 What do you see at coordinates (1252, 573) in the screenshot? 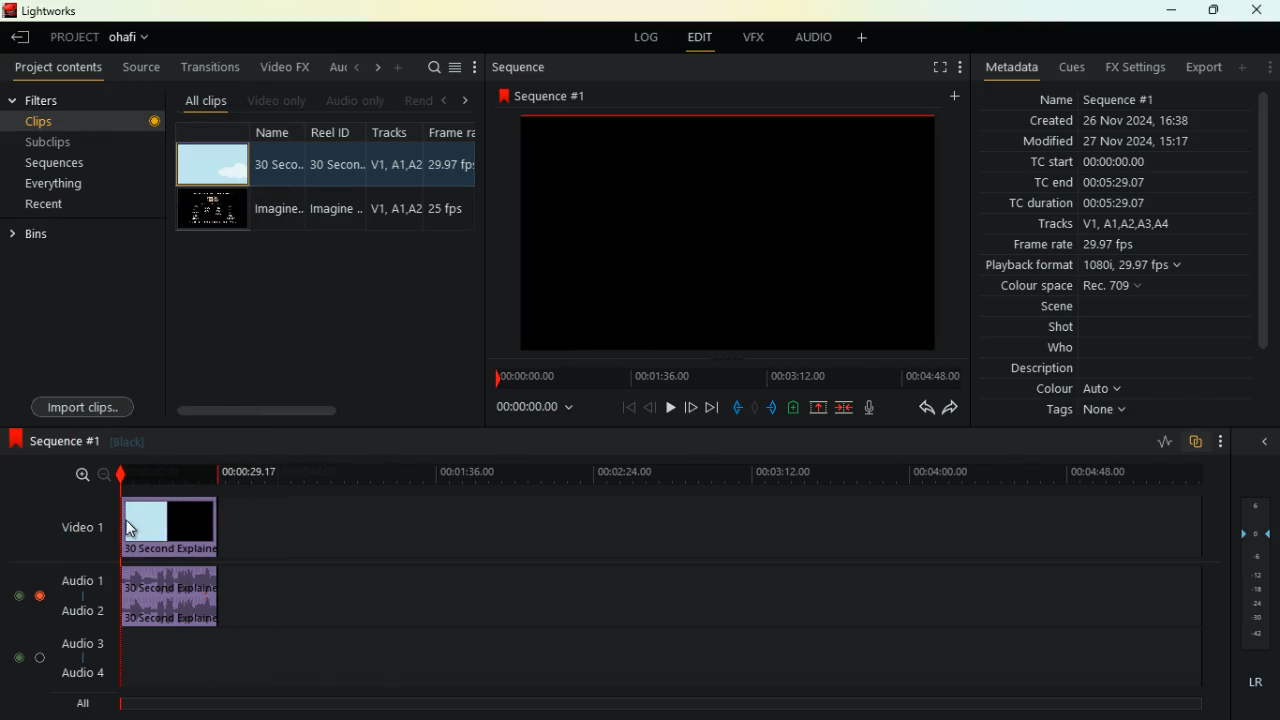
I see `layers` at bounding box center [1252, 573].